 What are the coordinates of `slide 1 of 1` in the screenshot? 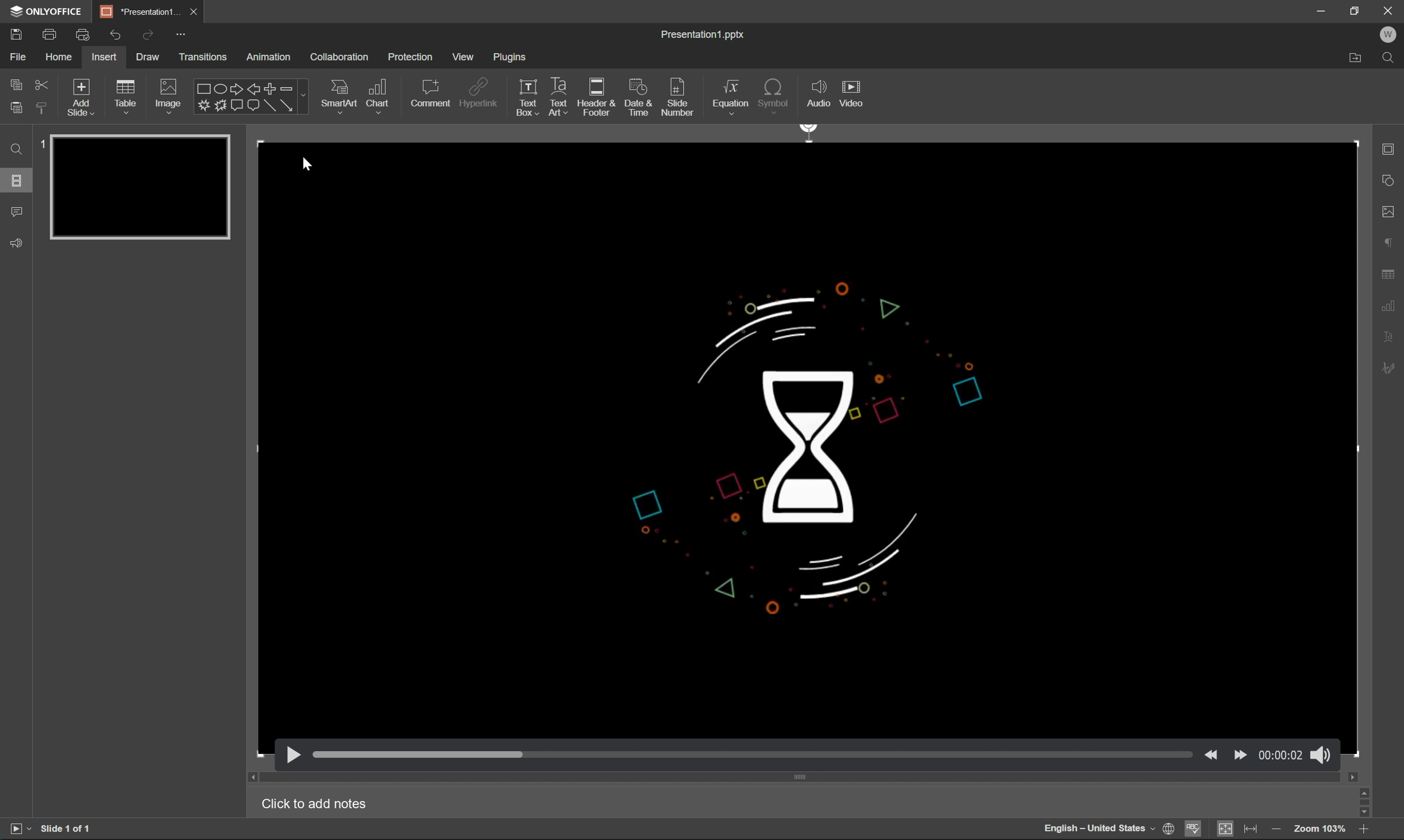 It's located at (73, 829).